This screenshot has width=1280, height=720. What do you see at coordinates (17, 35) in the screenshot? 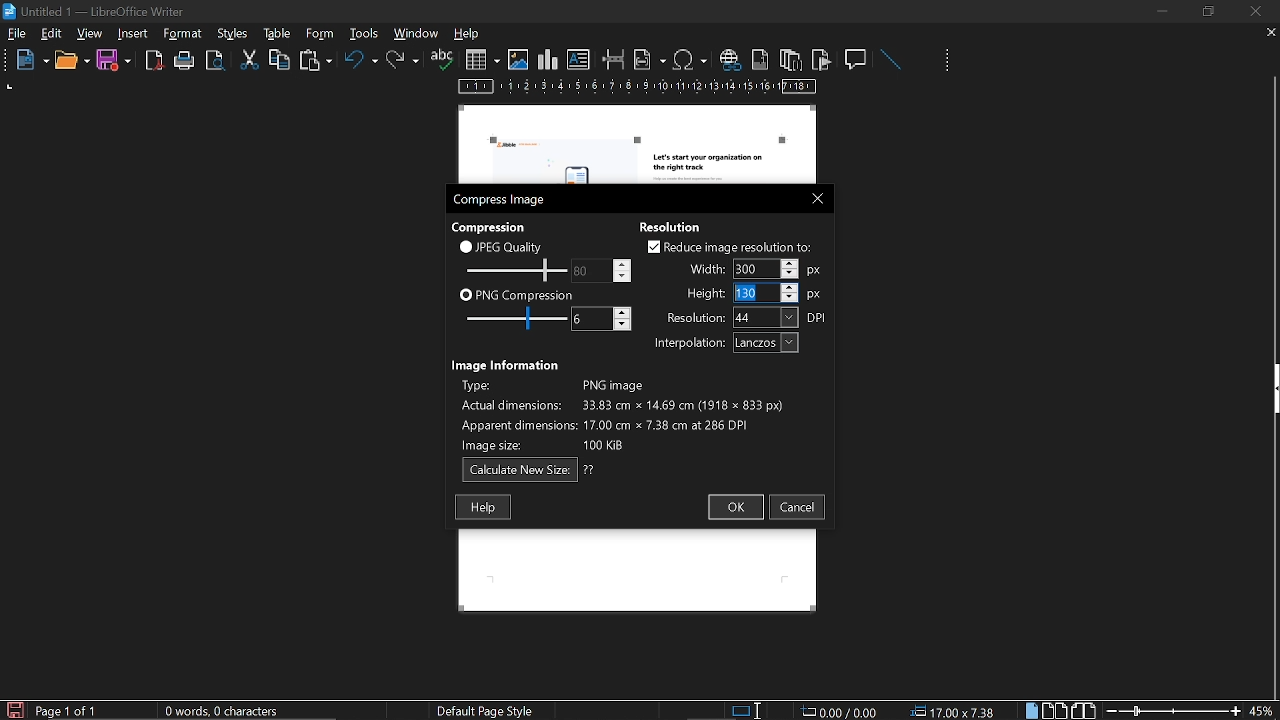
I see `file` at bounding box center [17, 35].